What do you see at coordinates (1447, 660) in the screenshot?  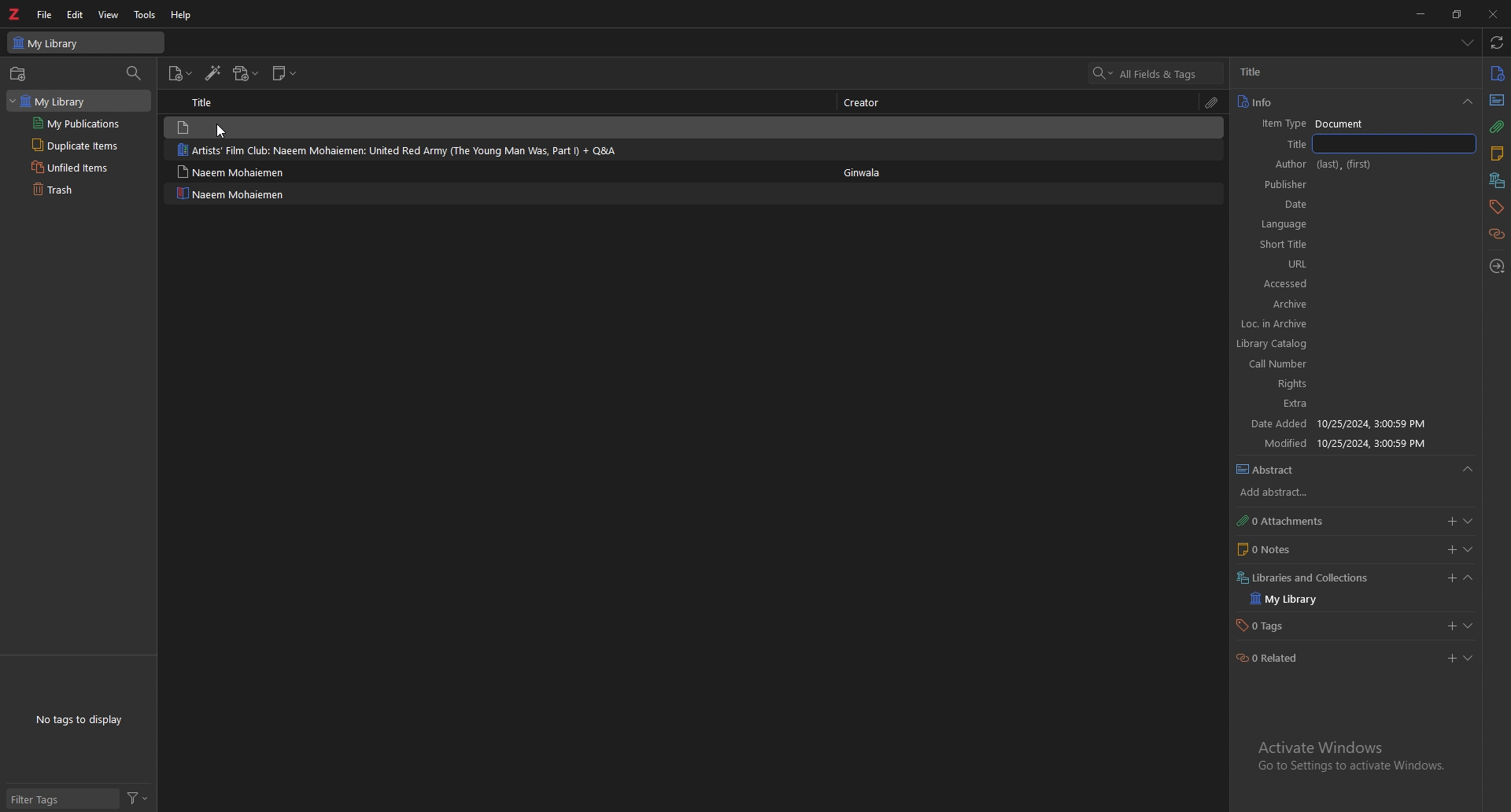 I see `add libraries and collection` at bounding box center [1447, 660].